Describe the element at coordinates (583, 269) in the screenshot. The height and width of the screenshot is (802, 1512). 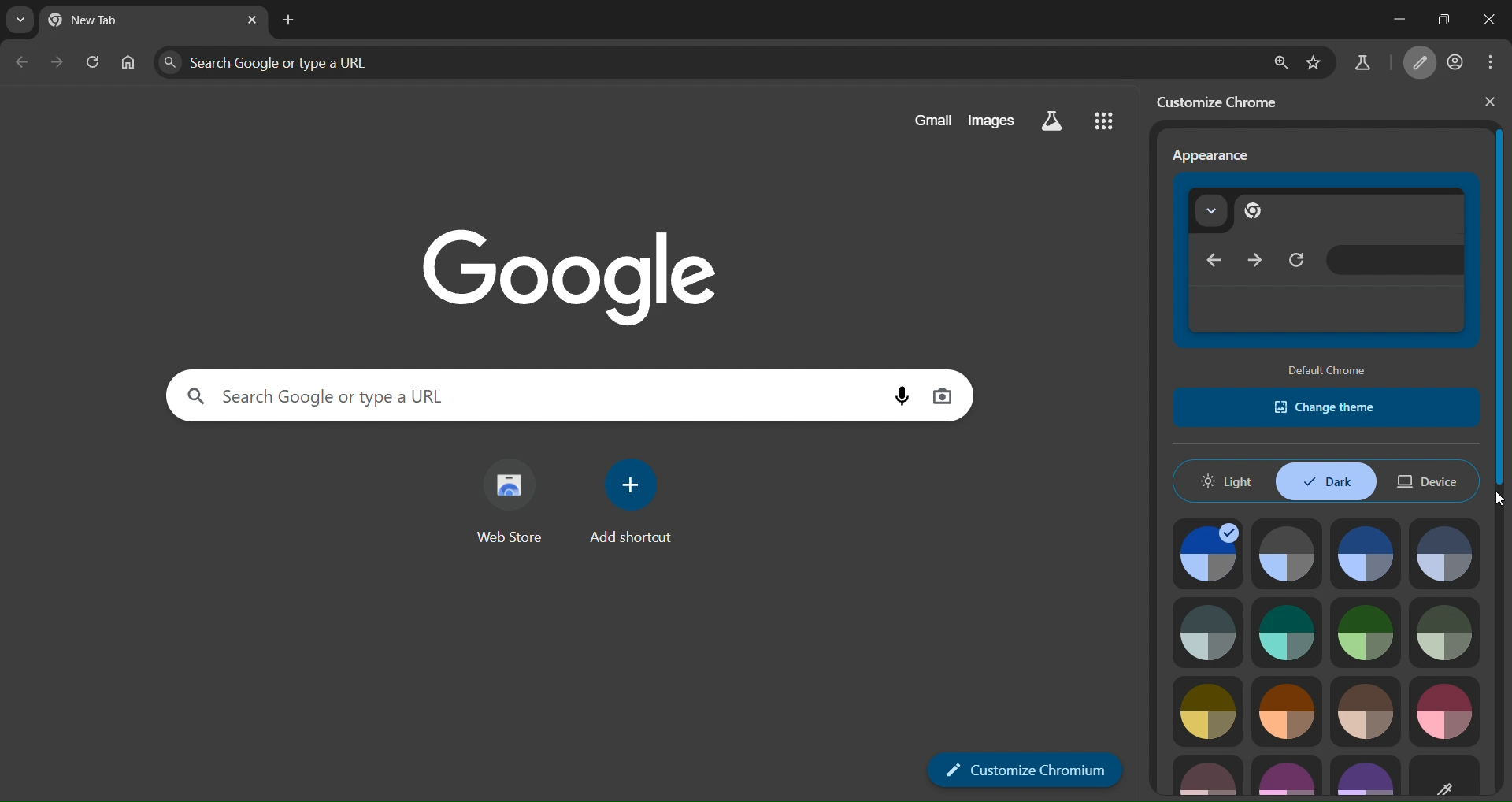
I see `image with google text` at that location.